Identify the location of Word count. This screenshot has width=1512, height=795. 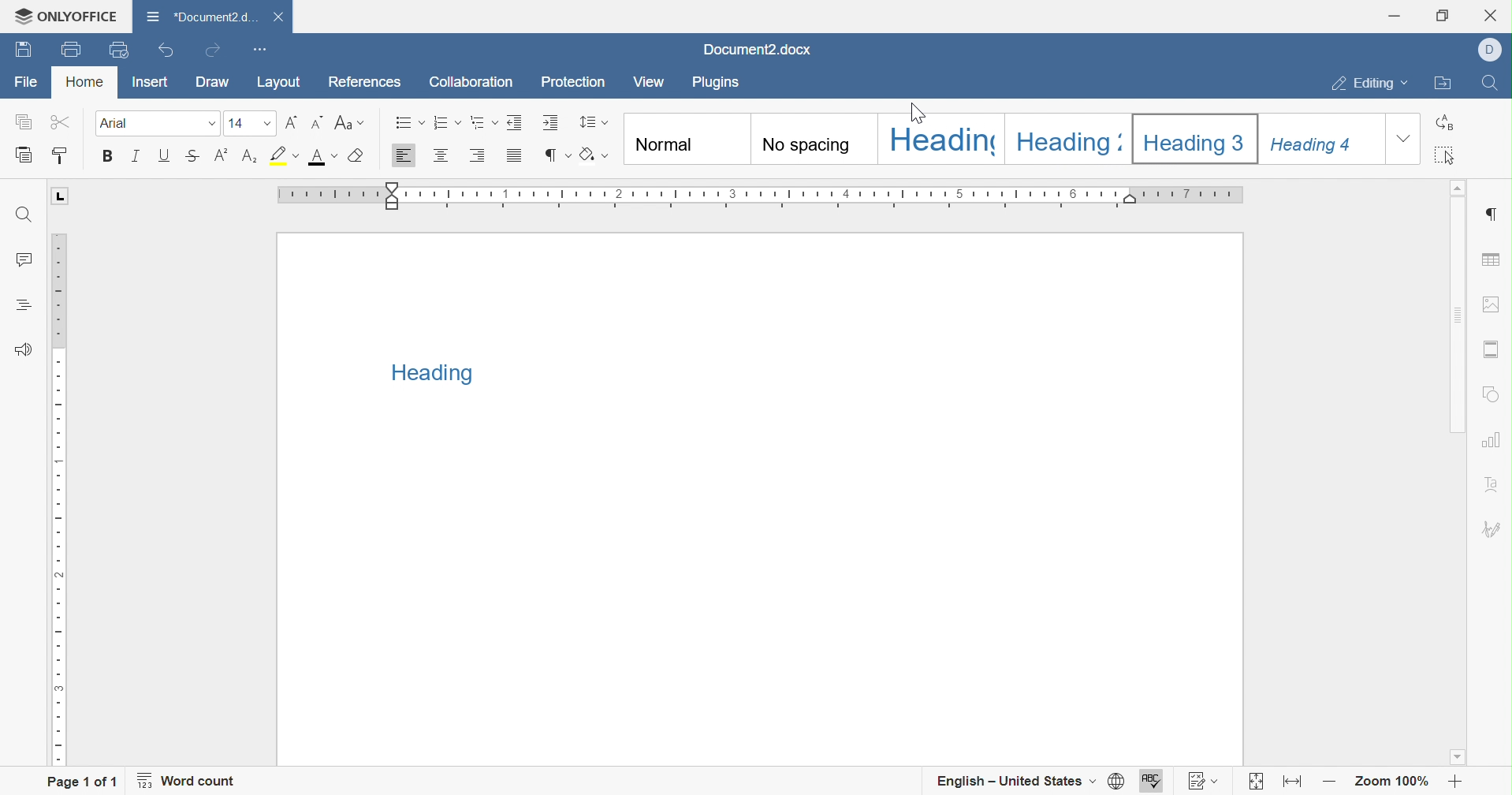
(193, 782).